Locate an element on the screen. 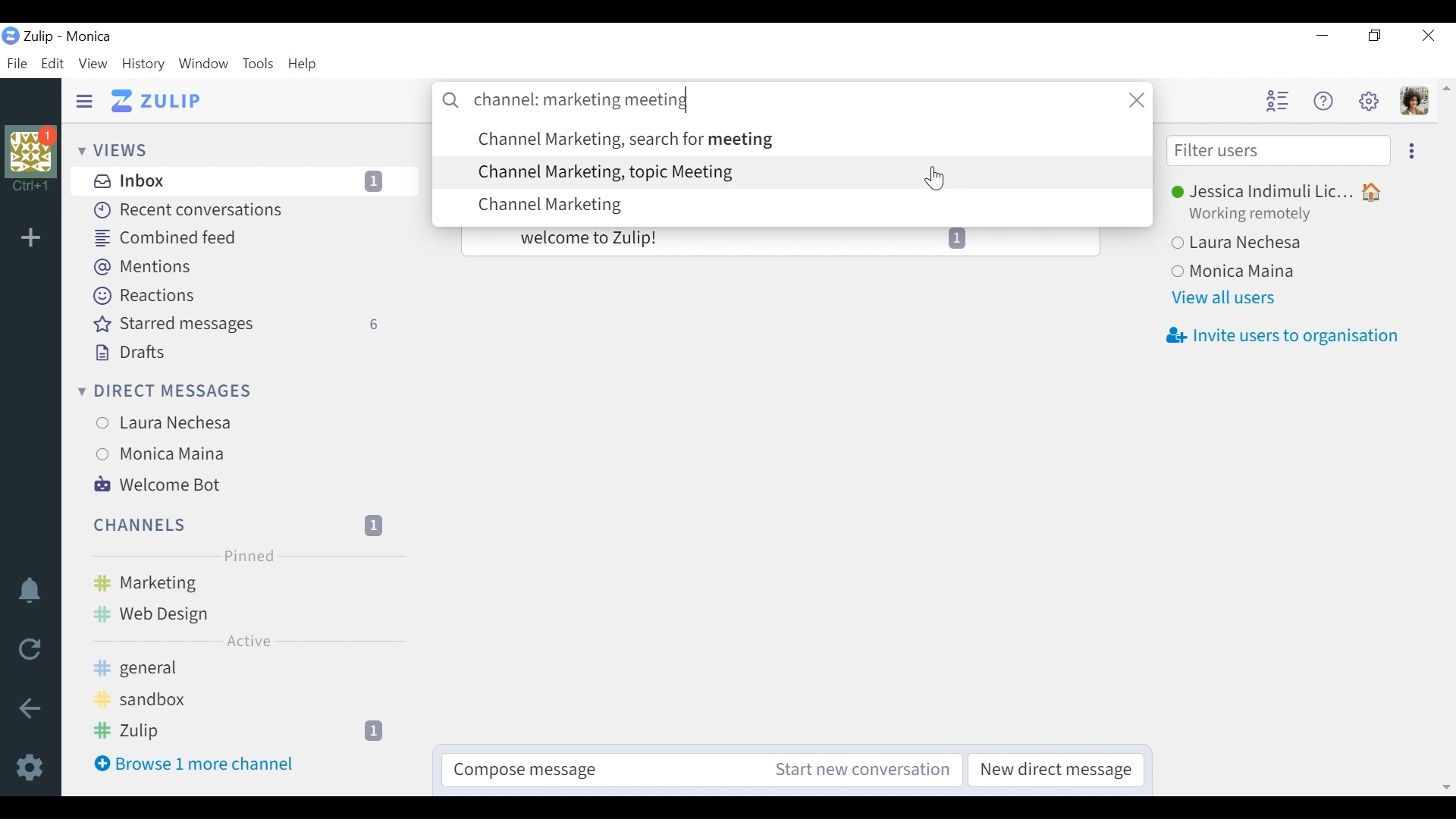  History is located at coordinates (143, 64).